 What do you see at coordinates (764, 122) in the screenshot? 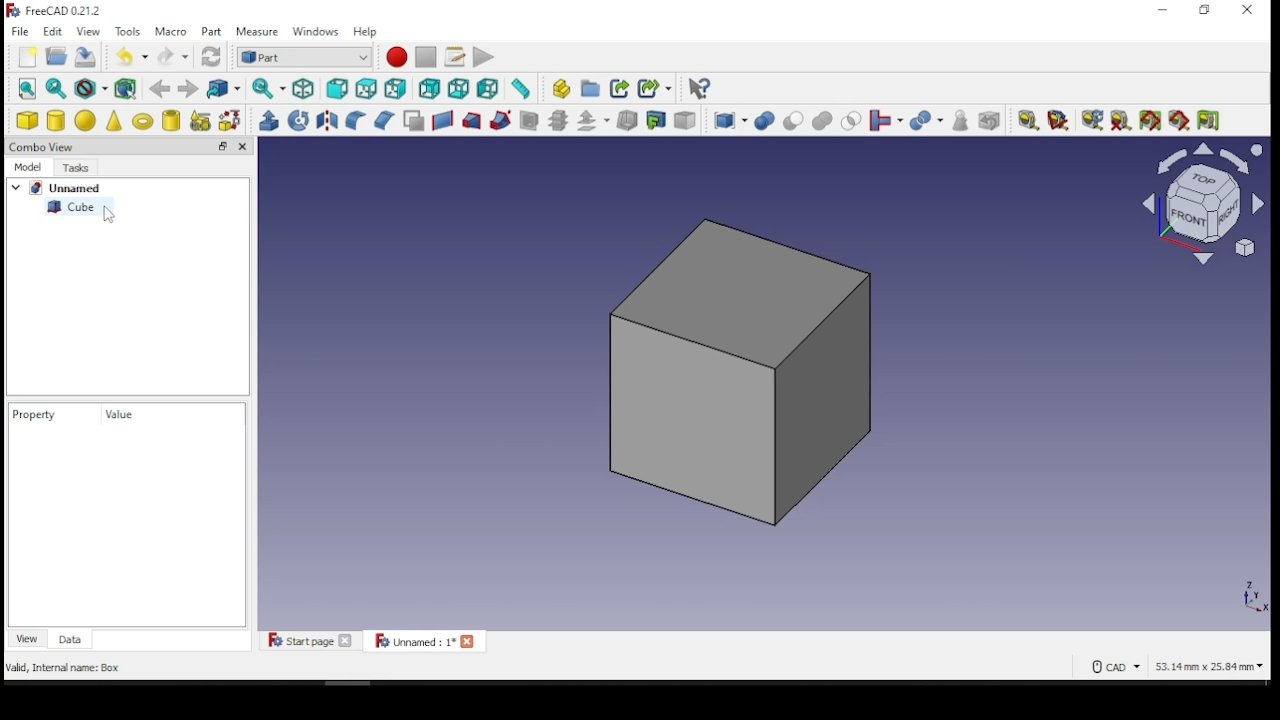
I see `boolean` at bounding box center [764, 122].